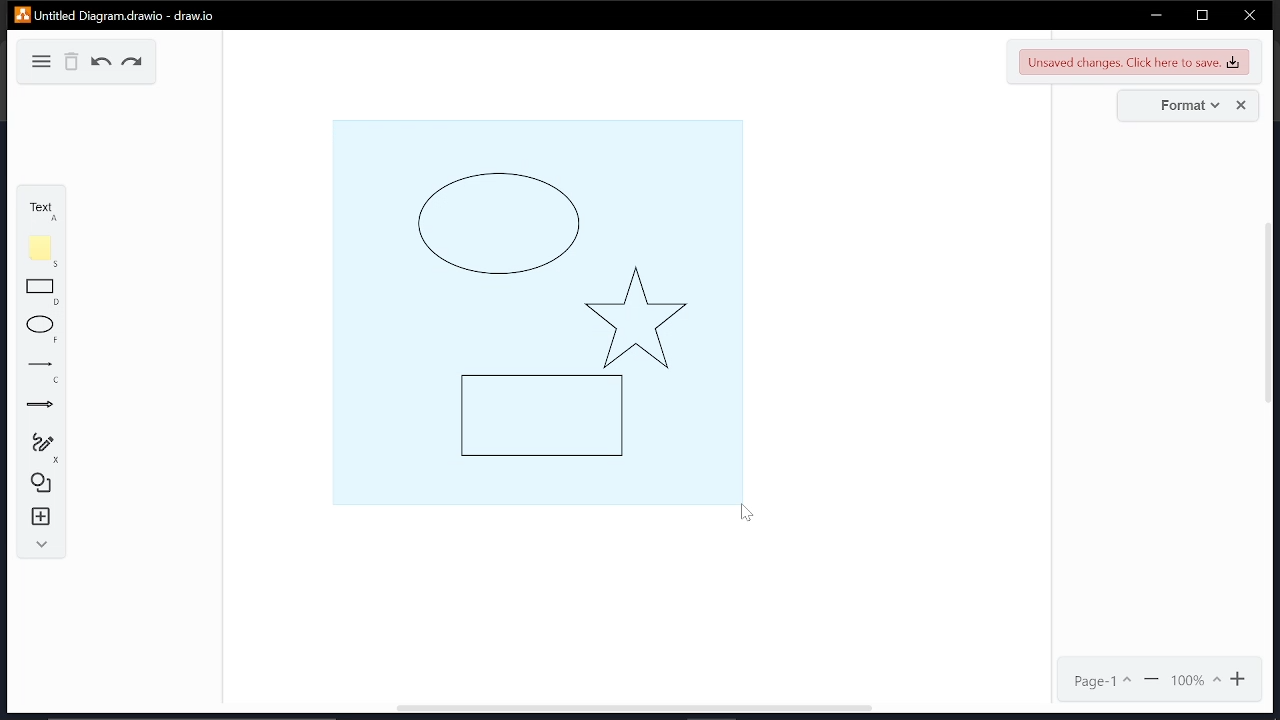  I want to click on 100%, so click(1195, 680).